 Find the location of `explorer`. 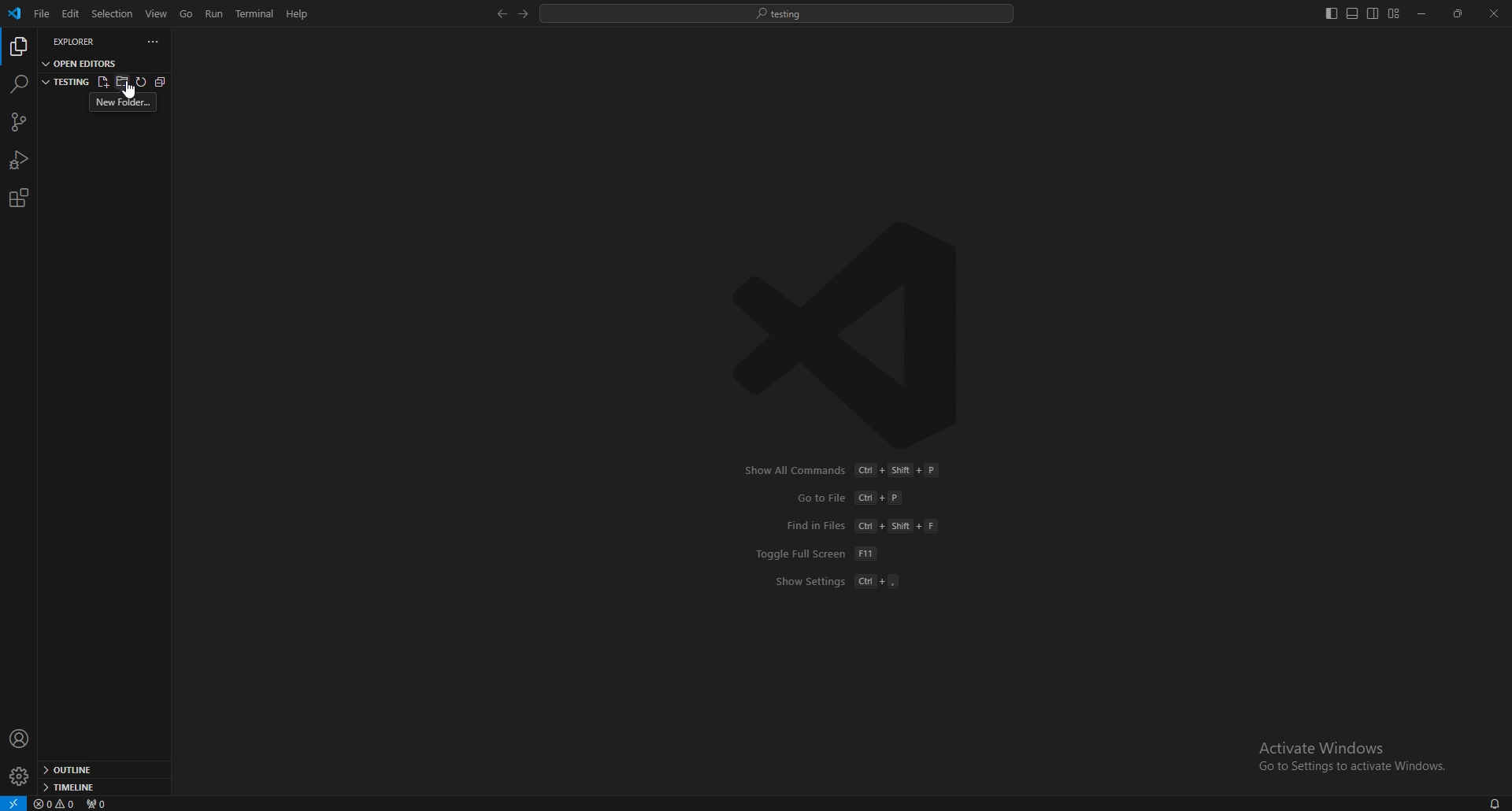

explorer is located at coordinates (83, 41).